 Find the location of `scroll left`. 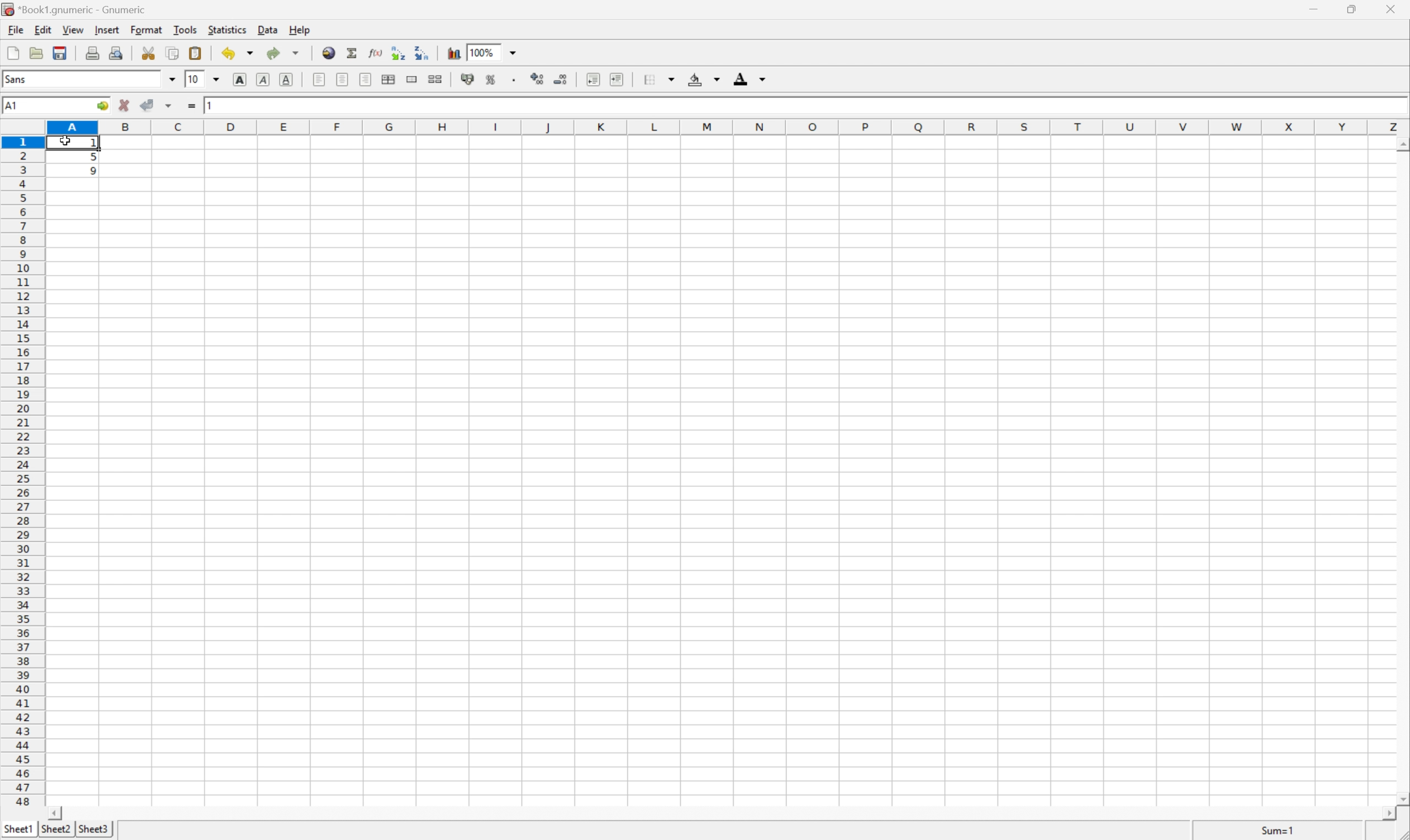

scroll left is located at coordinates (54, 814).